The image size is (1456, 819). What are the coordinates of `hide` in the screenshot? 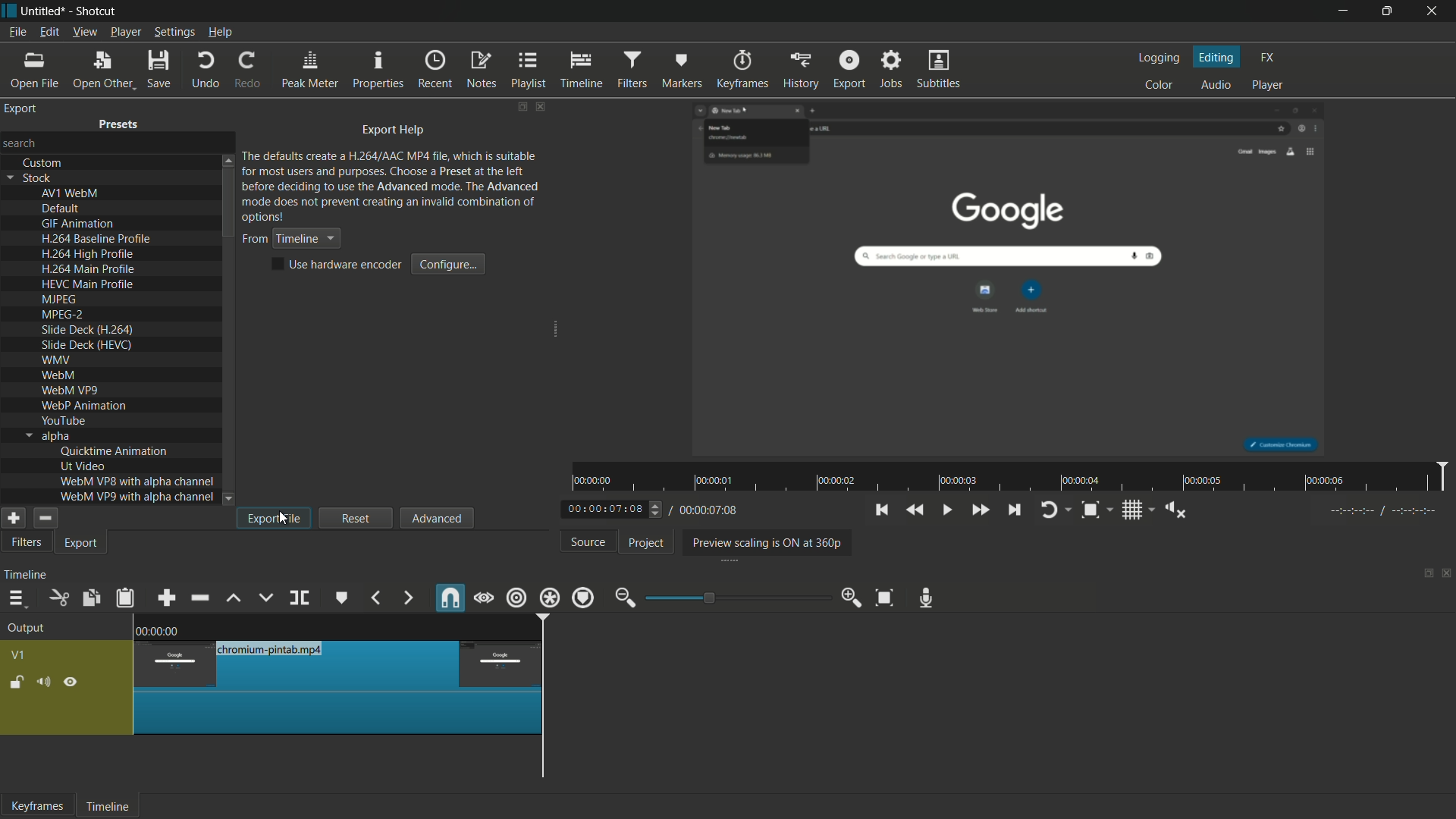 It's located at (71, 685).